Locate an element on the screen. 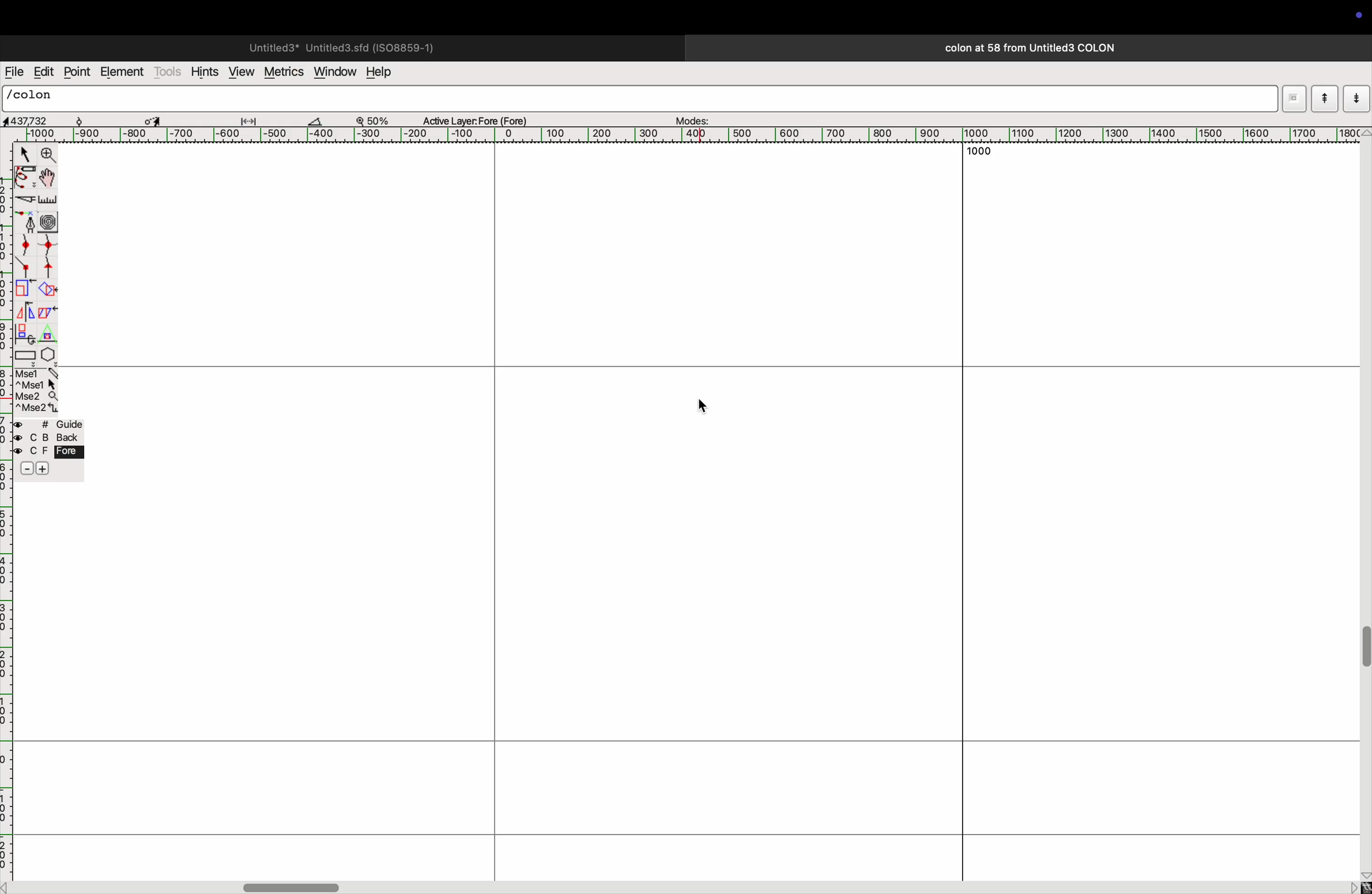 This screenshot has width=1372, height=894. scale is located at coordinates (48, 201).